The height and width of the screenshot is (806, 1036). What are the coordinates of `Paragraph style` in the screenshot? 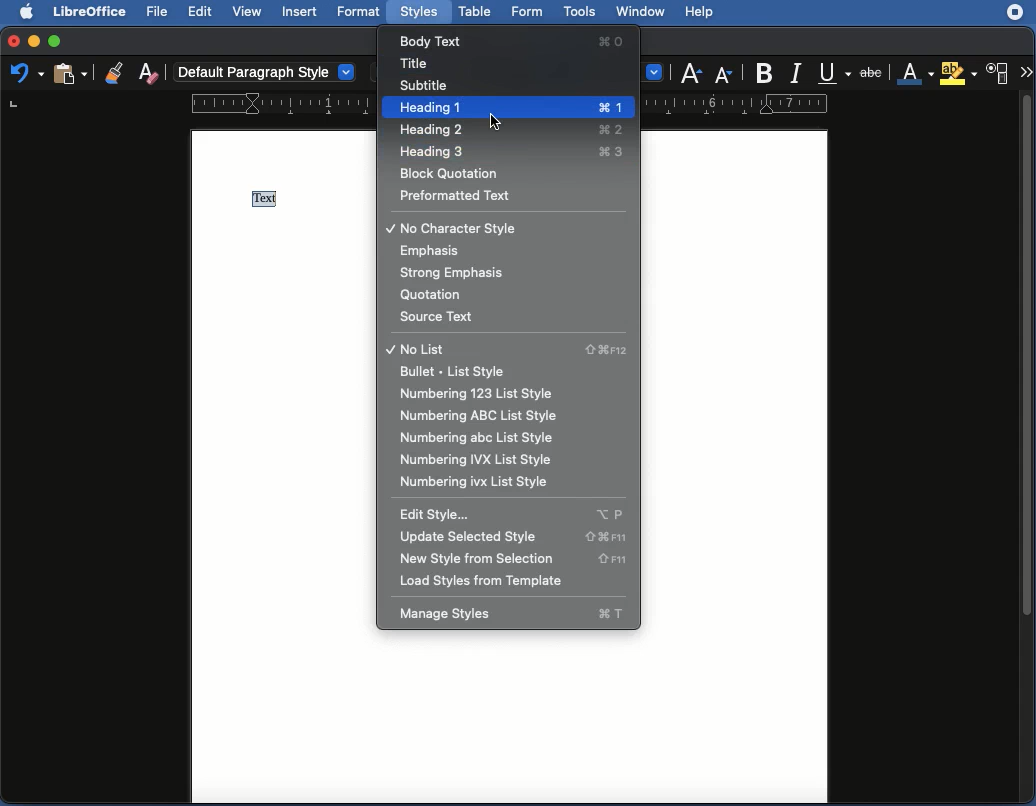 It's located at (267, 72).